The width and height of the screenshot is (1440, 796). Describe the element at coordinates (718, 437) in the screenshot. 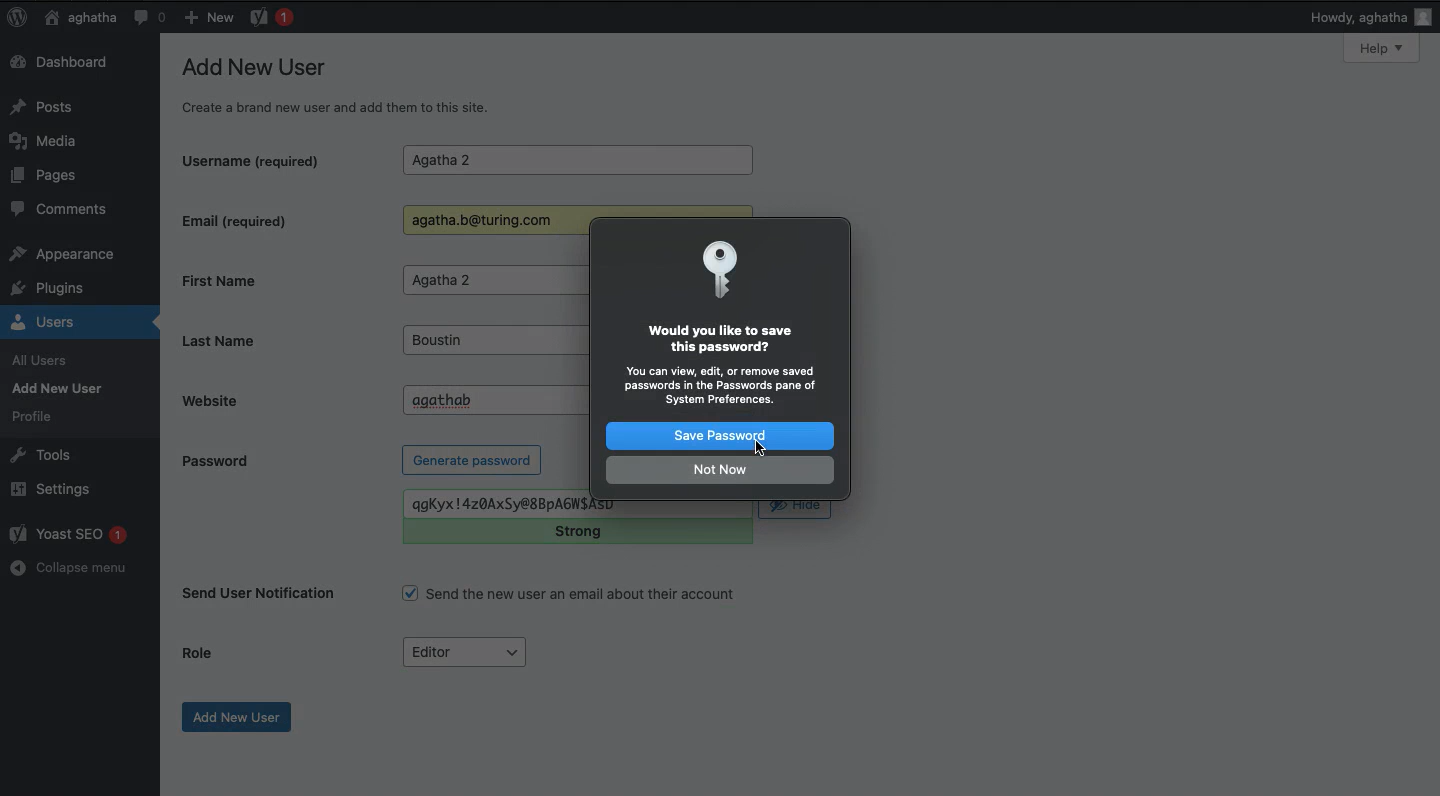

I see `Save password` at that location.